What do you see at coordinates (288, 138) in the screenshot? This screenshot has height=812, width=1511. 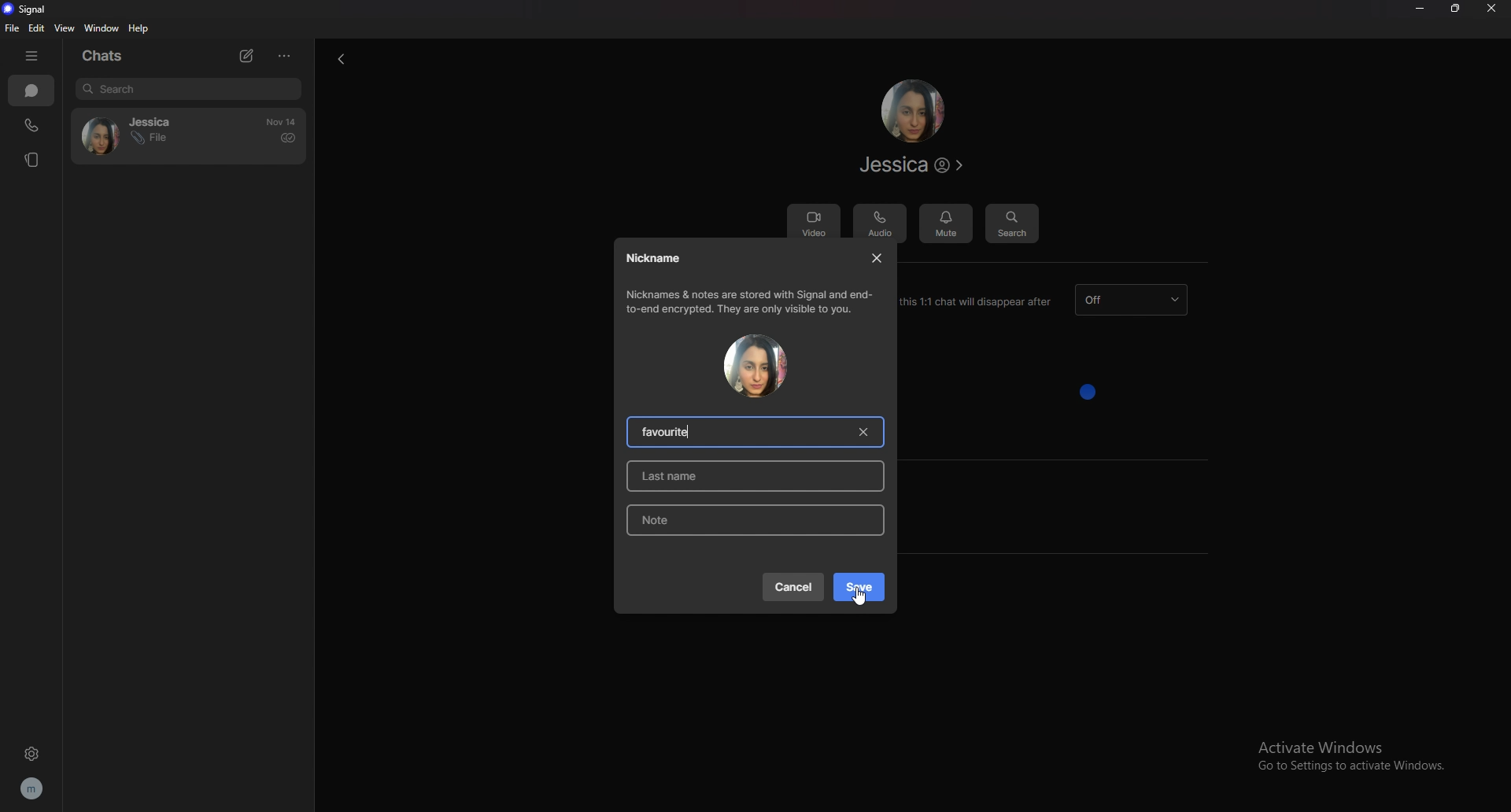 I see `delivered` at bounding box center [288, 138].